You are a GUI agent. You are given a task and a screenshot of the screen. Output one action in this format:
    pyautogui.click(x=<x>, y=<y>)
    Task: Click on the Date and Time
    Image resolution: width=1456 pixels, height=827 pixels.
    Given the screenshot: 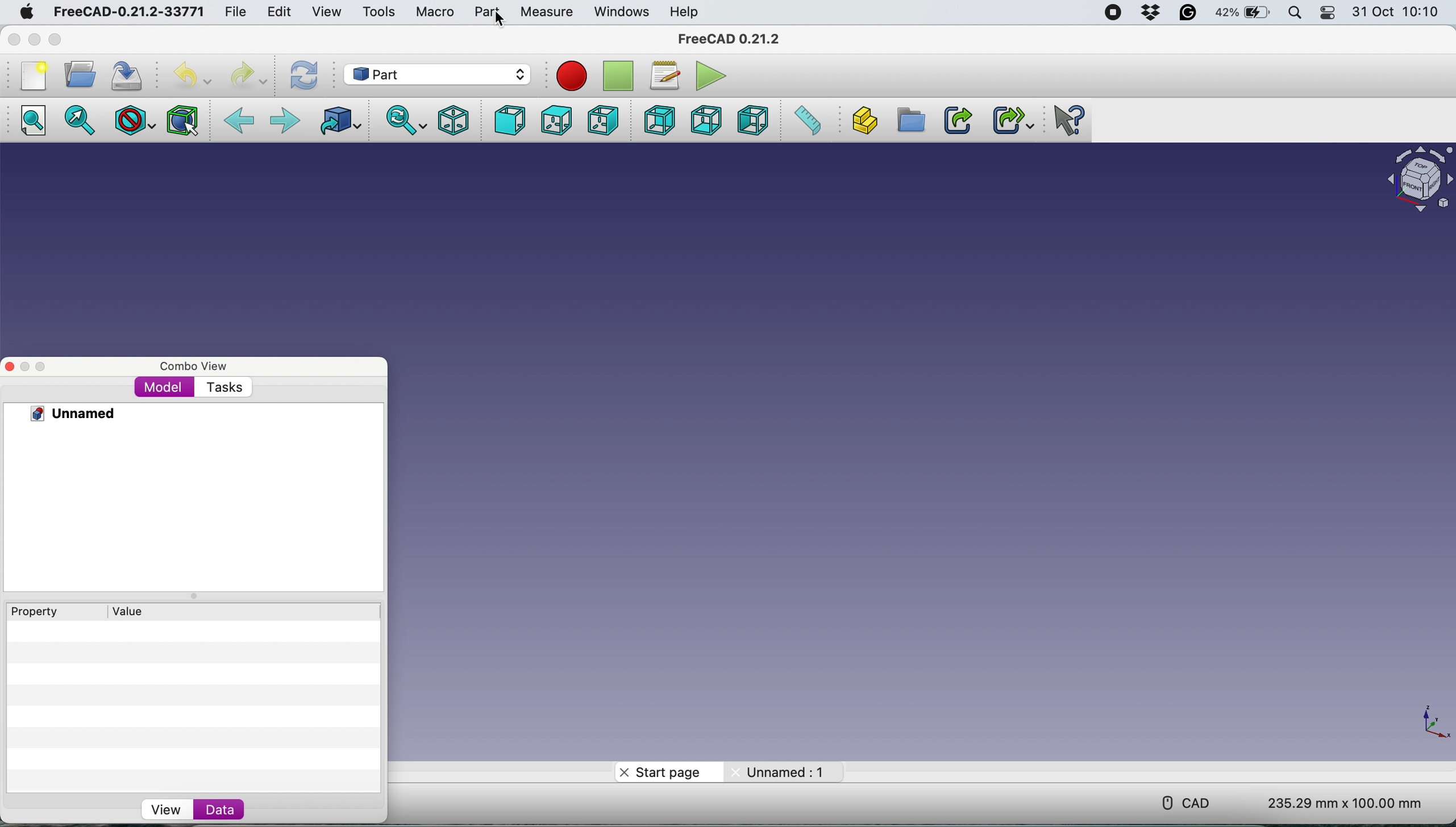 What is the action you would take?
    pyautogui.click(x=1398, y=11)
    